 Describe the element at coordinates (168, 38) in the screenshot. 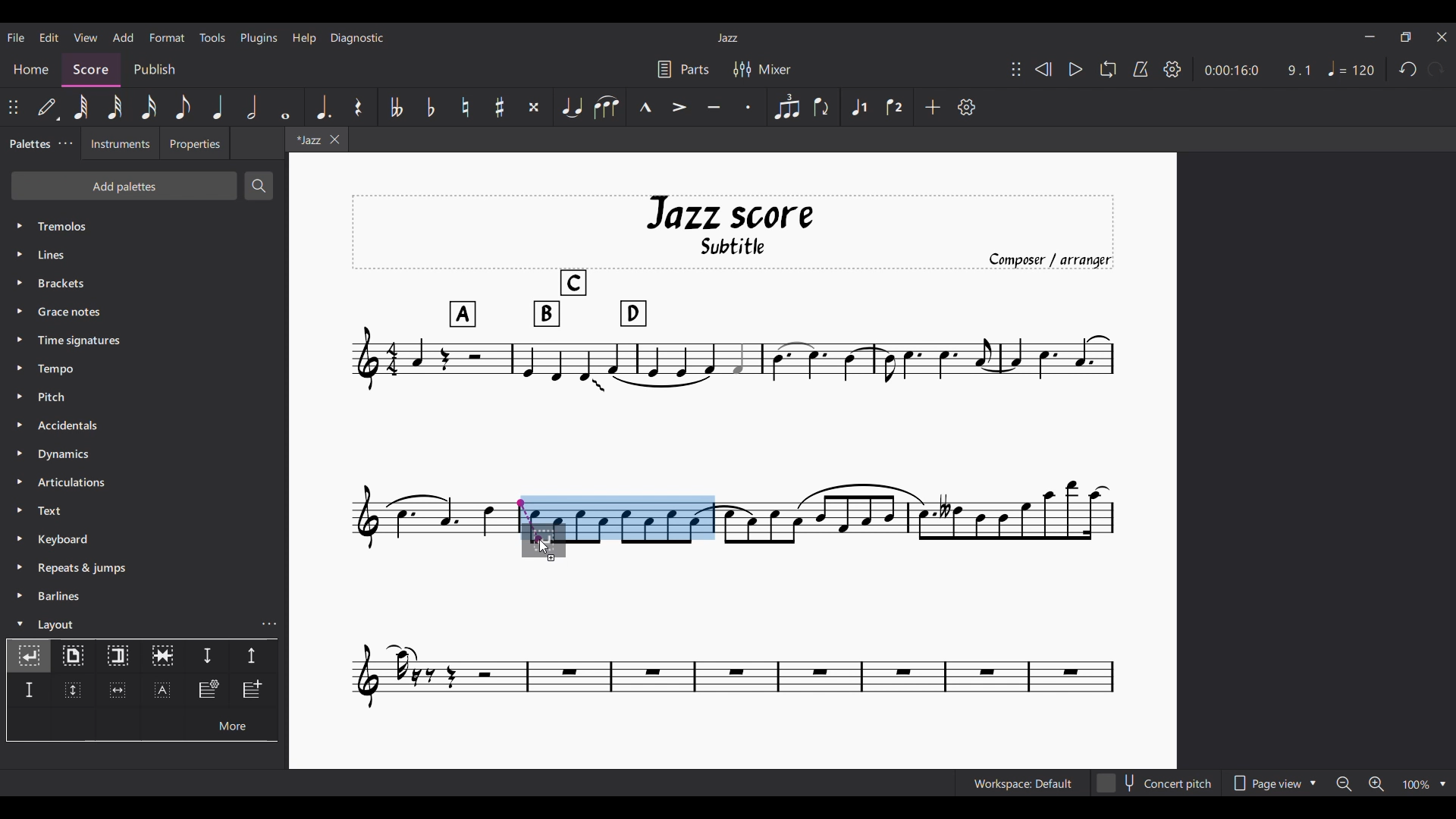

I see `Format menu` at that location.